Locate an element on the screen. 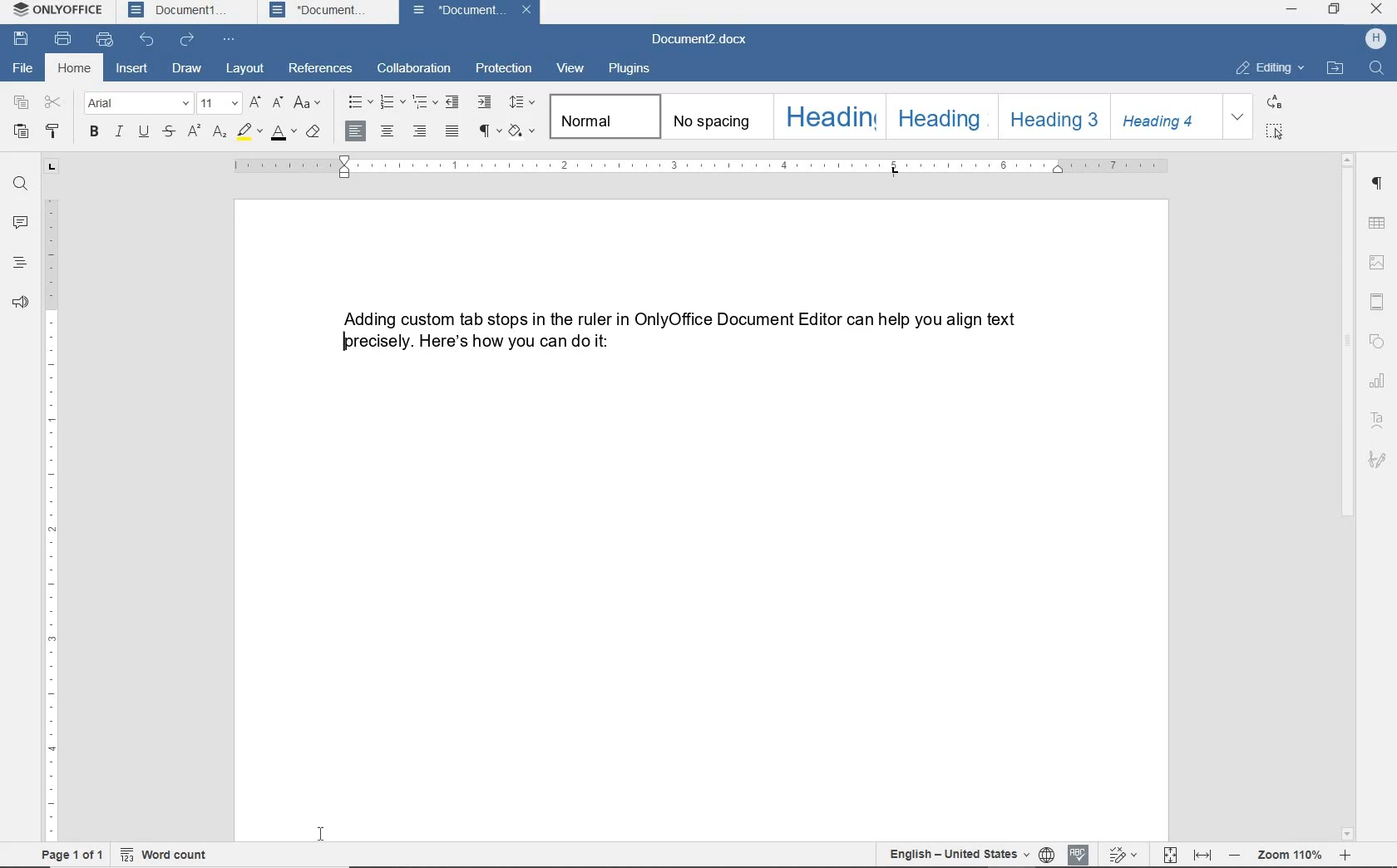 This screenshot has width=1397, height=868. customize quick access toolbar is located at coordinates (232, 41).